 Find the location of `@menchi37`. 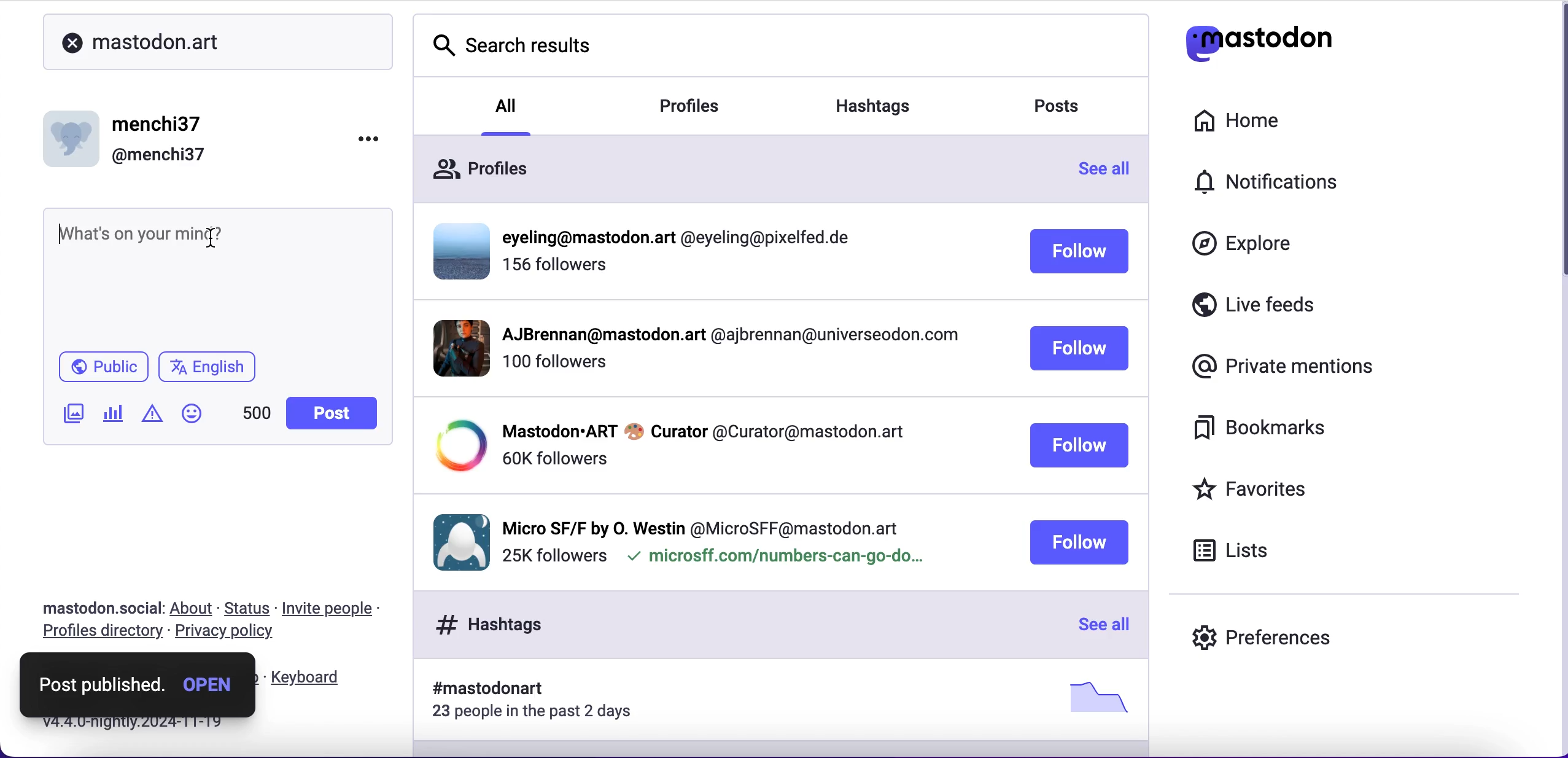

@menchi37 is located at coordinates (159, 156).